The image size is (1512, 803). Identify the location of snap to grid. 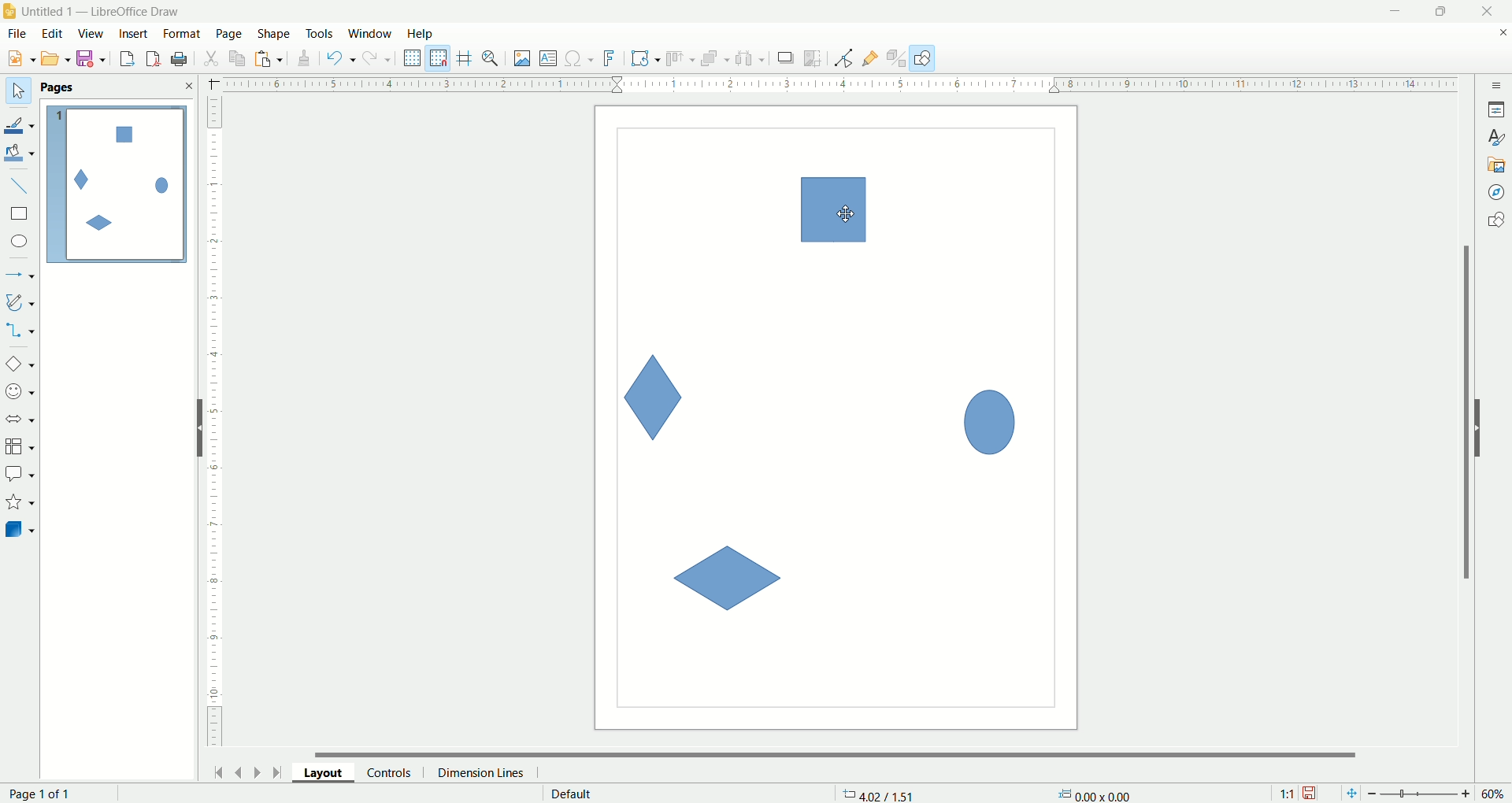
(442, 58).